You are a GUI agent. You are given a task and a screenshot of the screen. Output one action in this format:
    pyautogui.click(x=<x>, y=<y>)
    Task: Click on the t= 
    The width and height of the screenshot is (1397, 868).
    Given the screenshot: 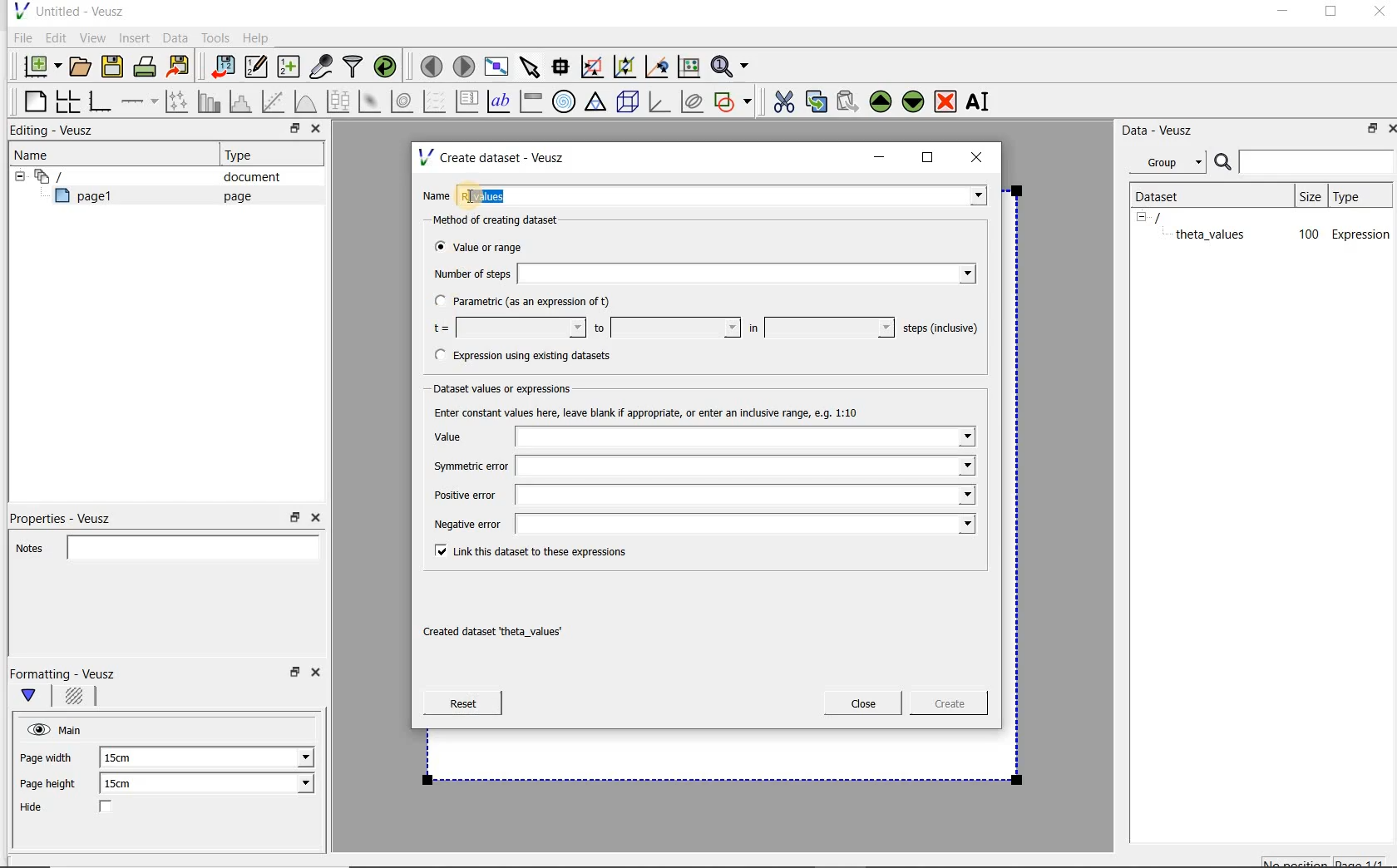 What is the action you would take?
    pyautogui.click(x=506, y=328)
    